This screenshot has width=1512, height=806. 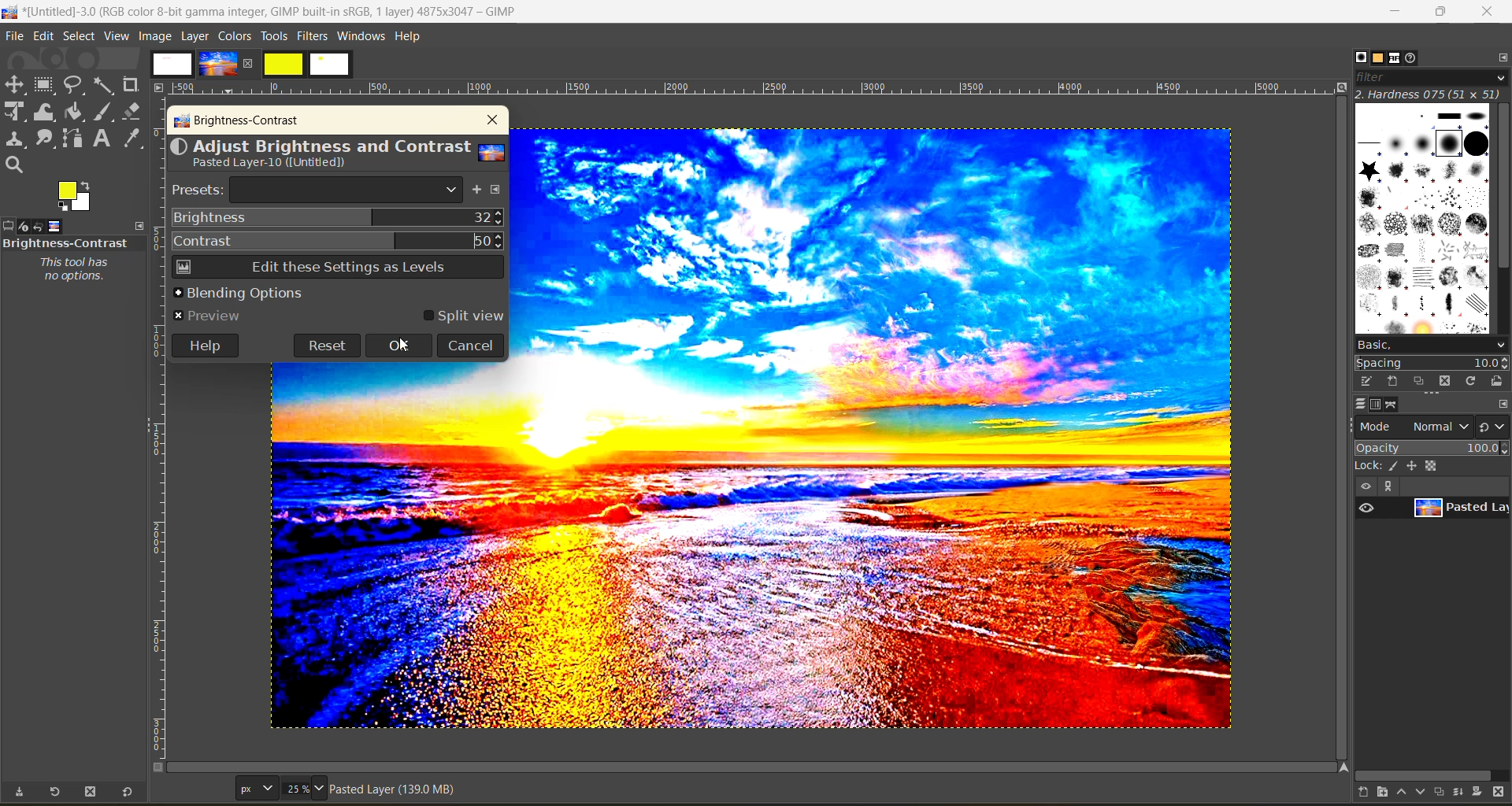 I want to click on reset, so click(x=326, y=345).